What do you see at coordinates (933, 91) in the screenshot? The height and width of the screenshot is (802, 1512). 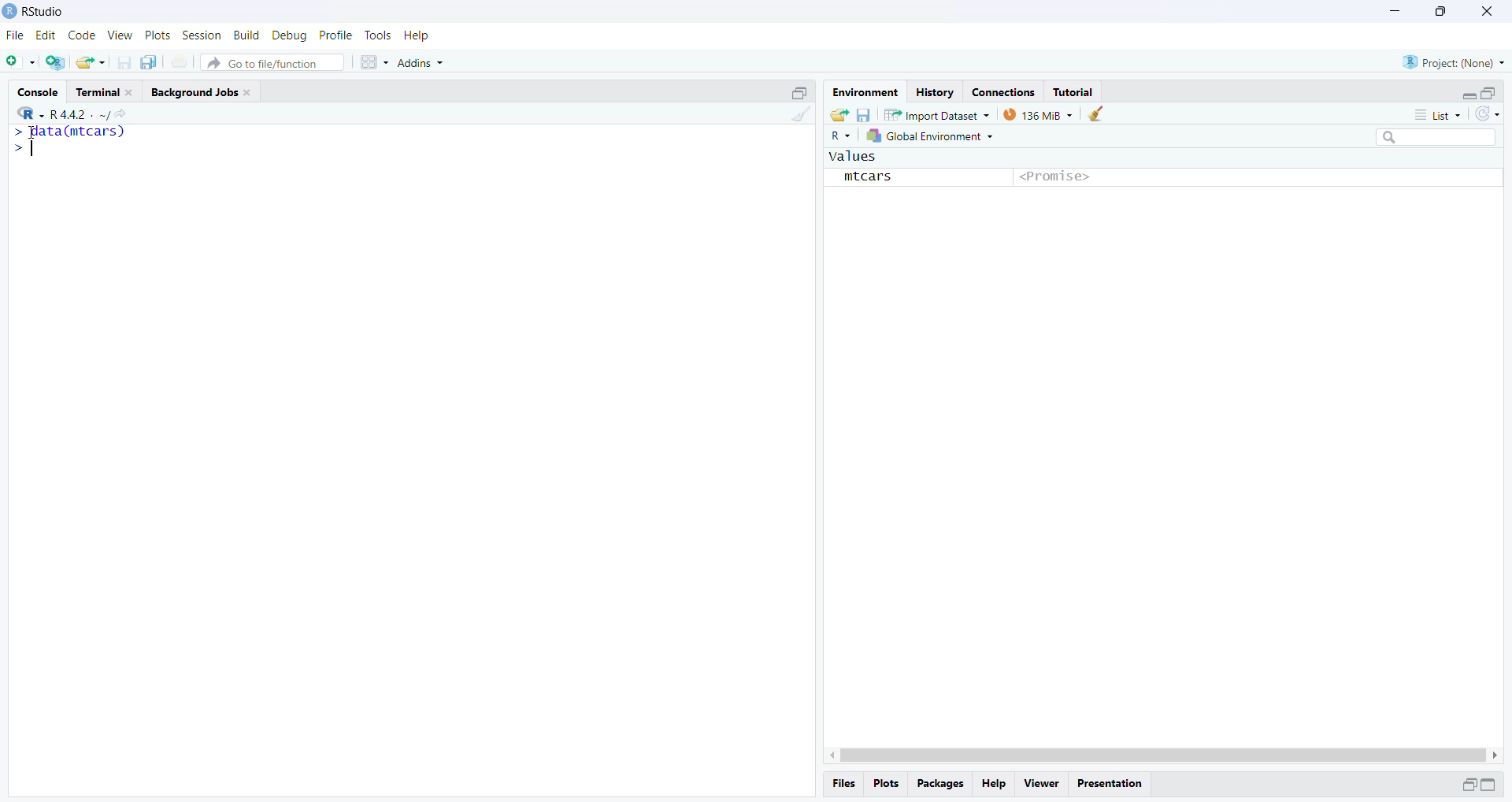 I see `History` at bounding box center [933, 91].